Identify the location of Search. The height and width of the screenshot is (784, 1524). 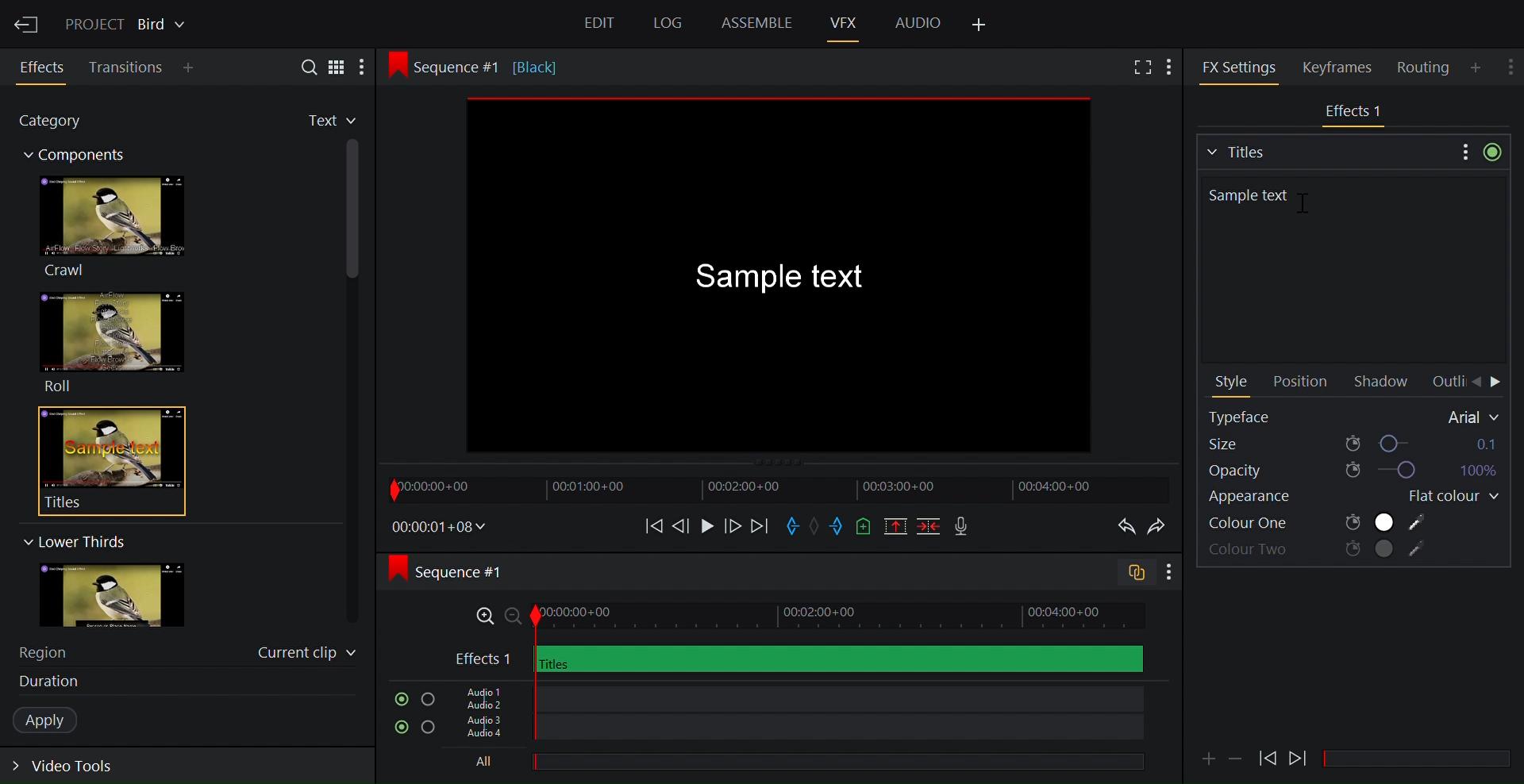
(302, 66).